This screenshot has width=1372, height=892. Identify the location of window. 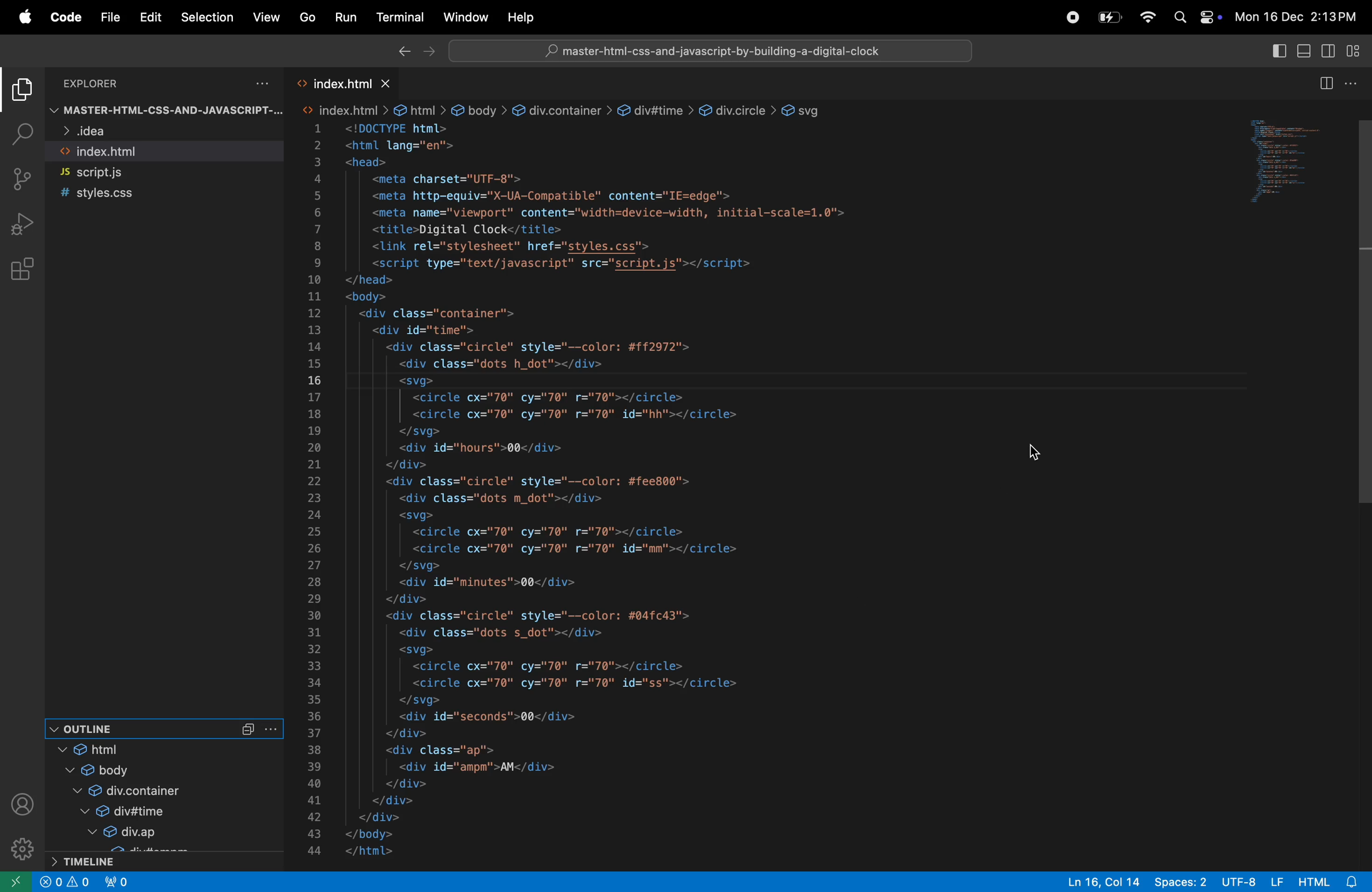
(464, 17).